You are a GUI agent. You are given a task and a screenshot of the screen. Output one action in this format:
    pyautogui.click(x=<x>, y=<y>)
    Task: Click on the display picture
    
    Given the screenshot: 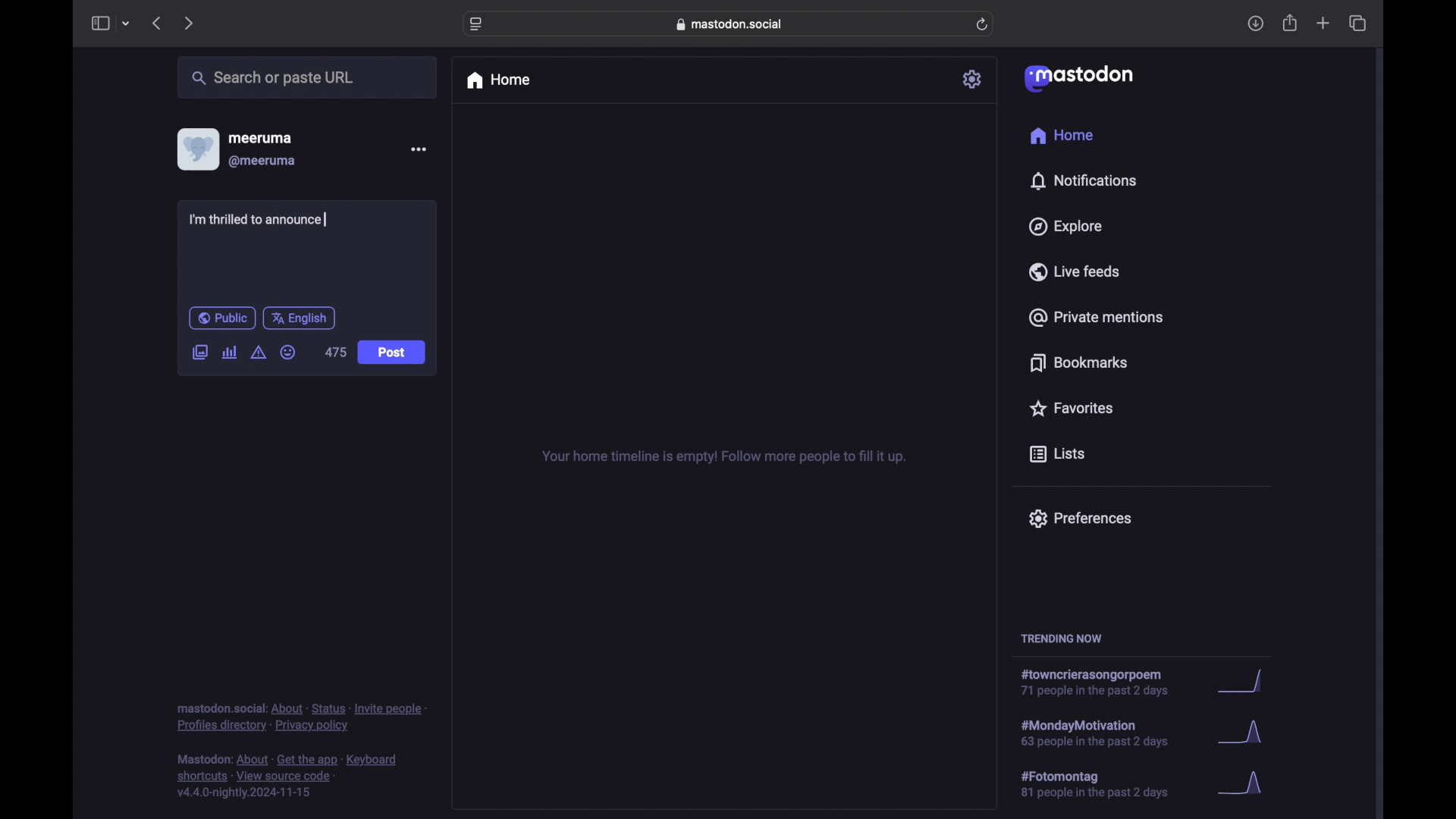 What is the action you would take?
    pyautogui.click(x=196, y=149)
    